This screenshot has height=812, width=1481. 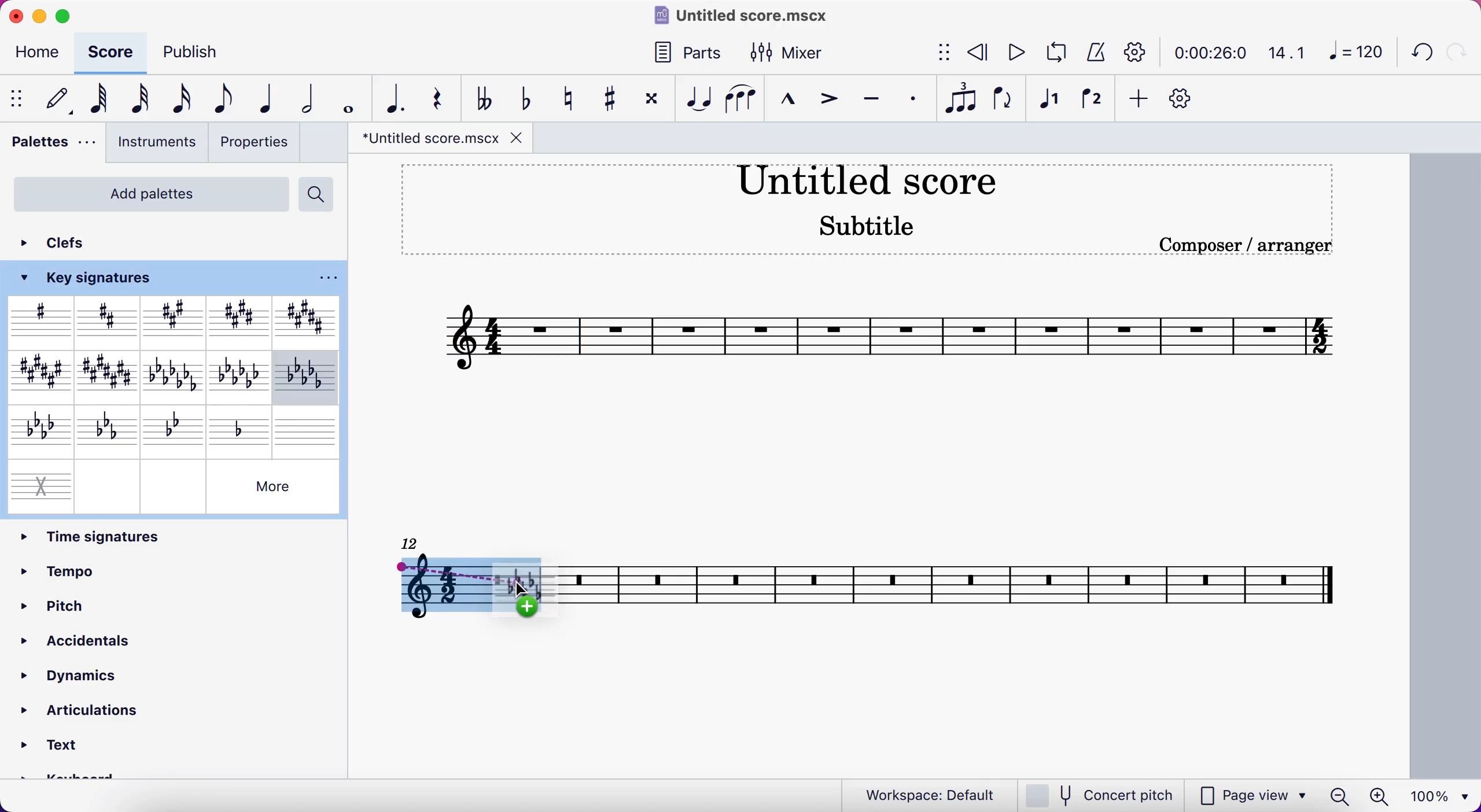 I want to click on add palettes, so click(x=148, y=193).